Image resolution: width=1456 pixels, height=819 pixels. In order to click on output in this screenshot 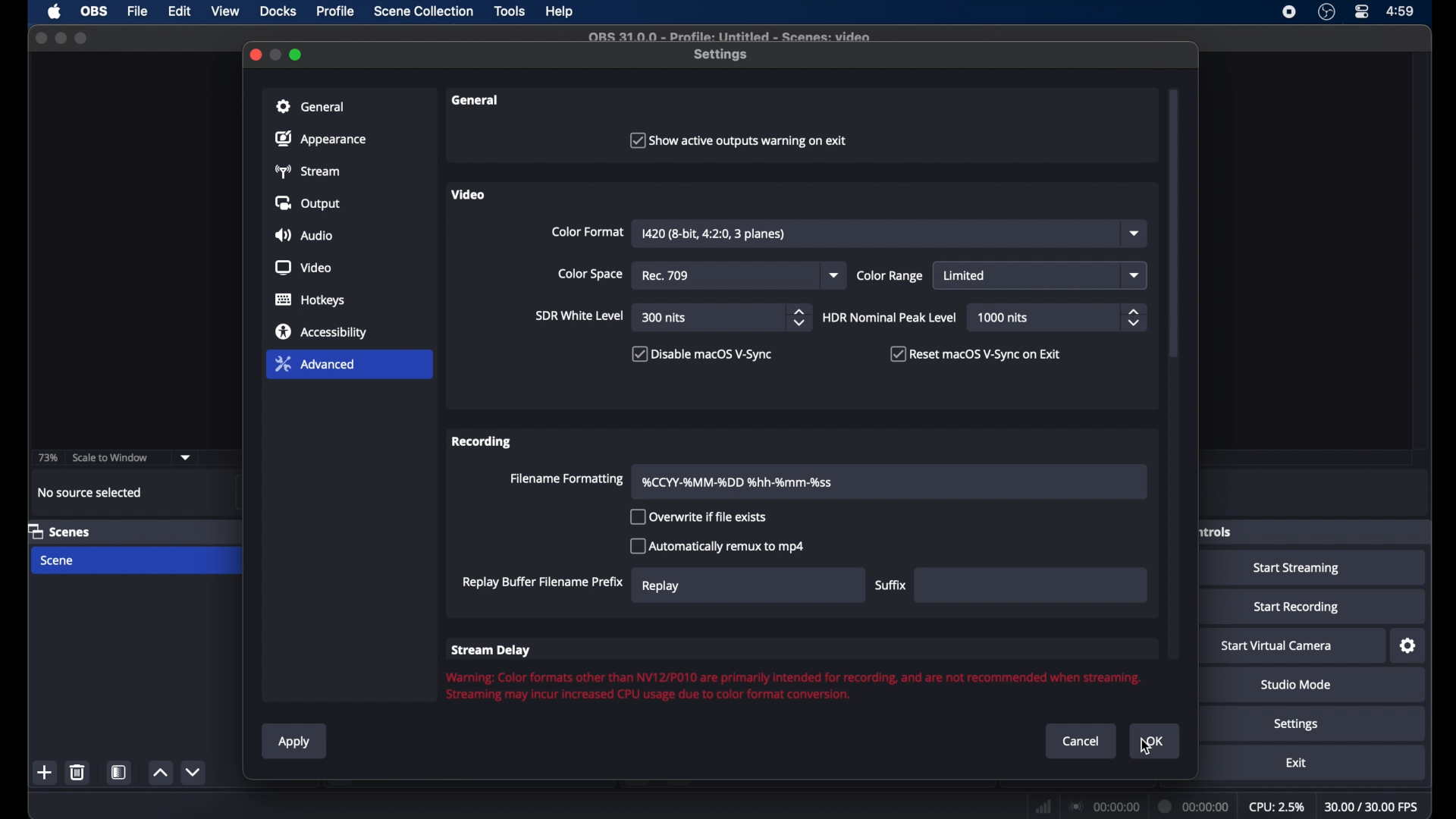, I will do `click(308, 204)`.